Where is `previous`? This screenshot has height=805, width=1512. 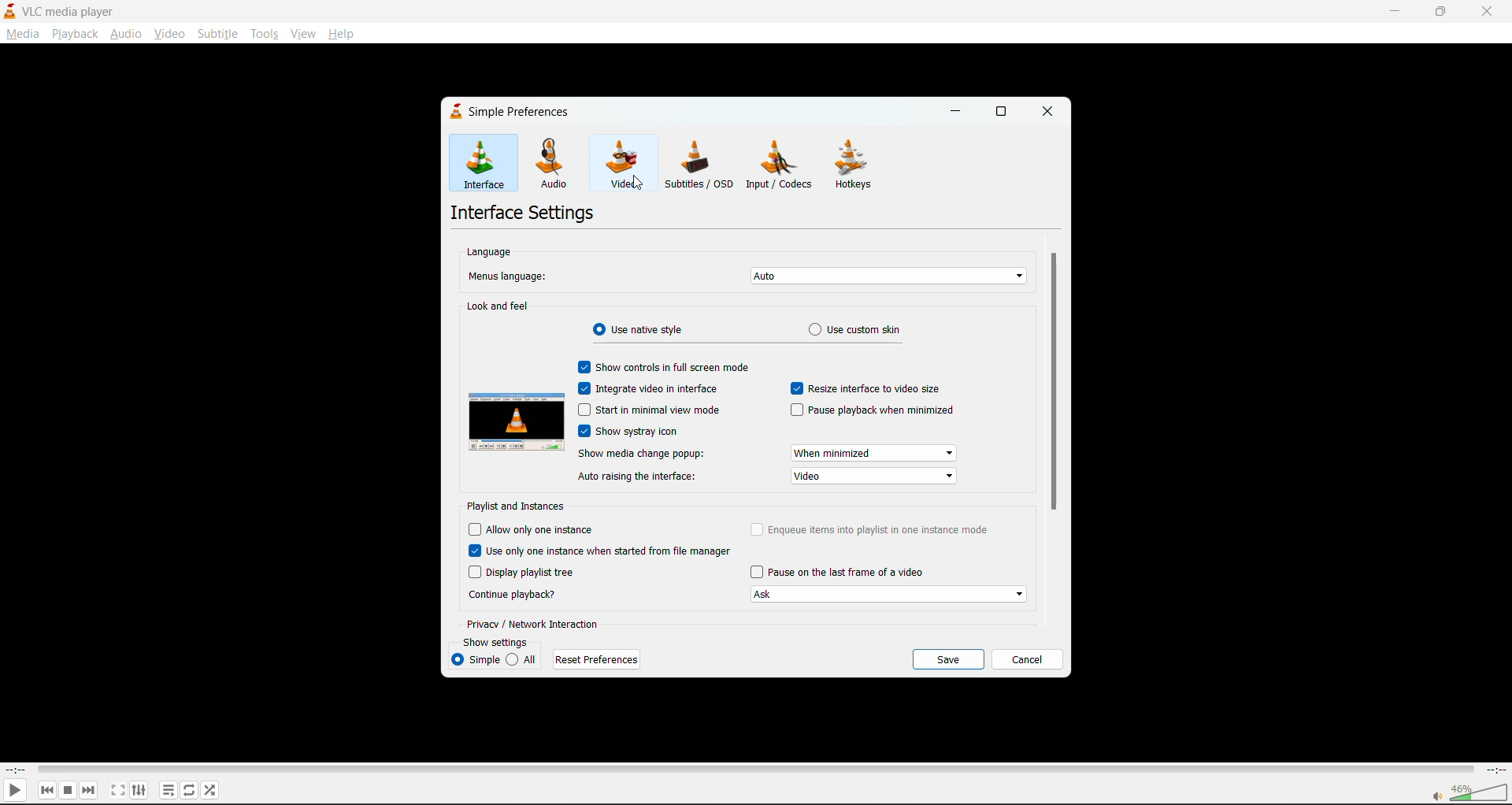 previous is located at coordinates (46, 791).